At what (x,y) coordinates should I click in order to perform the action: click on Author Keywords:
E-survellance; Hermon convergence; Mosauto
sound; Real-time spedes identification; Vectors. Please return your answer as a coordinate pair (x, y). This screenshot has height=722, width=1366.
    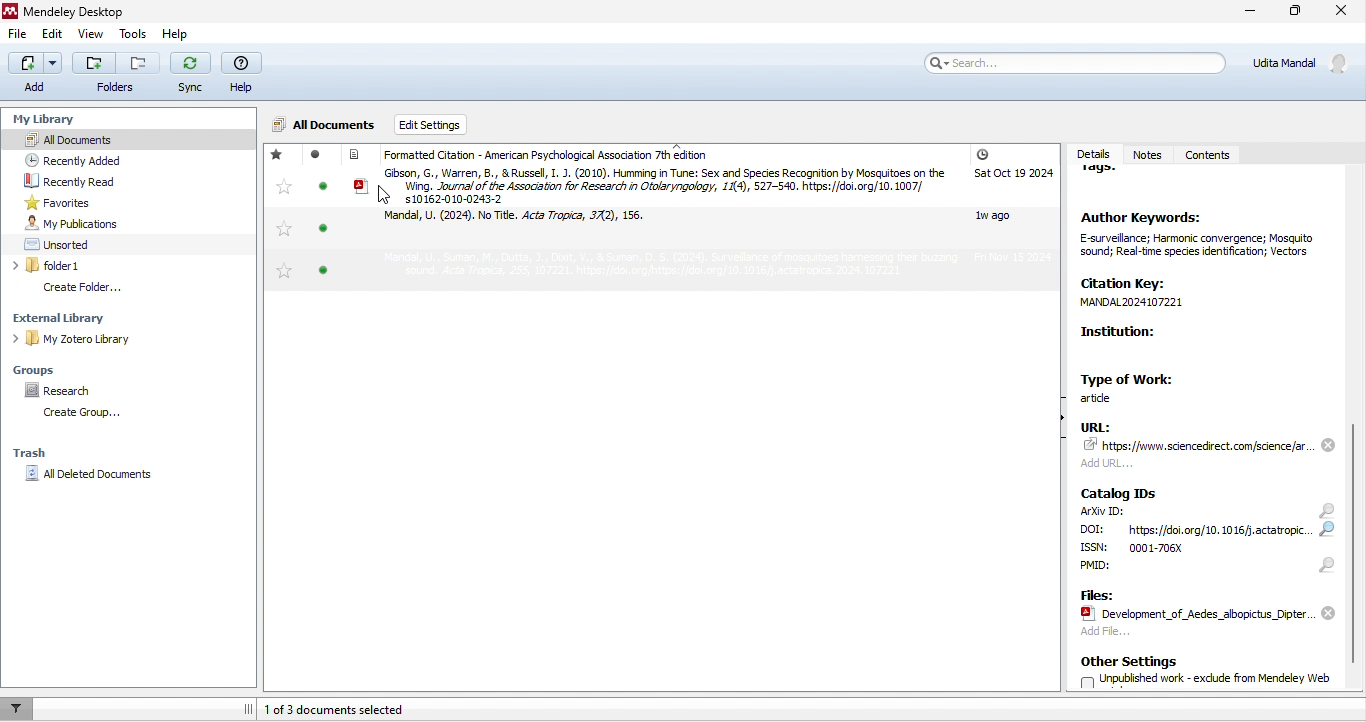
    Looking at the image, I should click on (1197, 237).